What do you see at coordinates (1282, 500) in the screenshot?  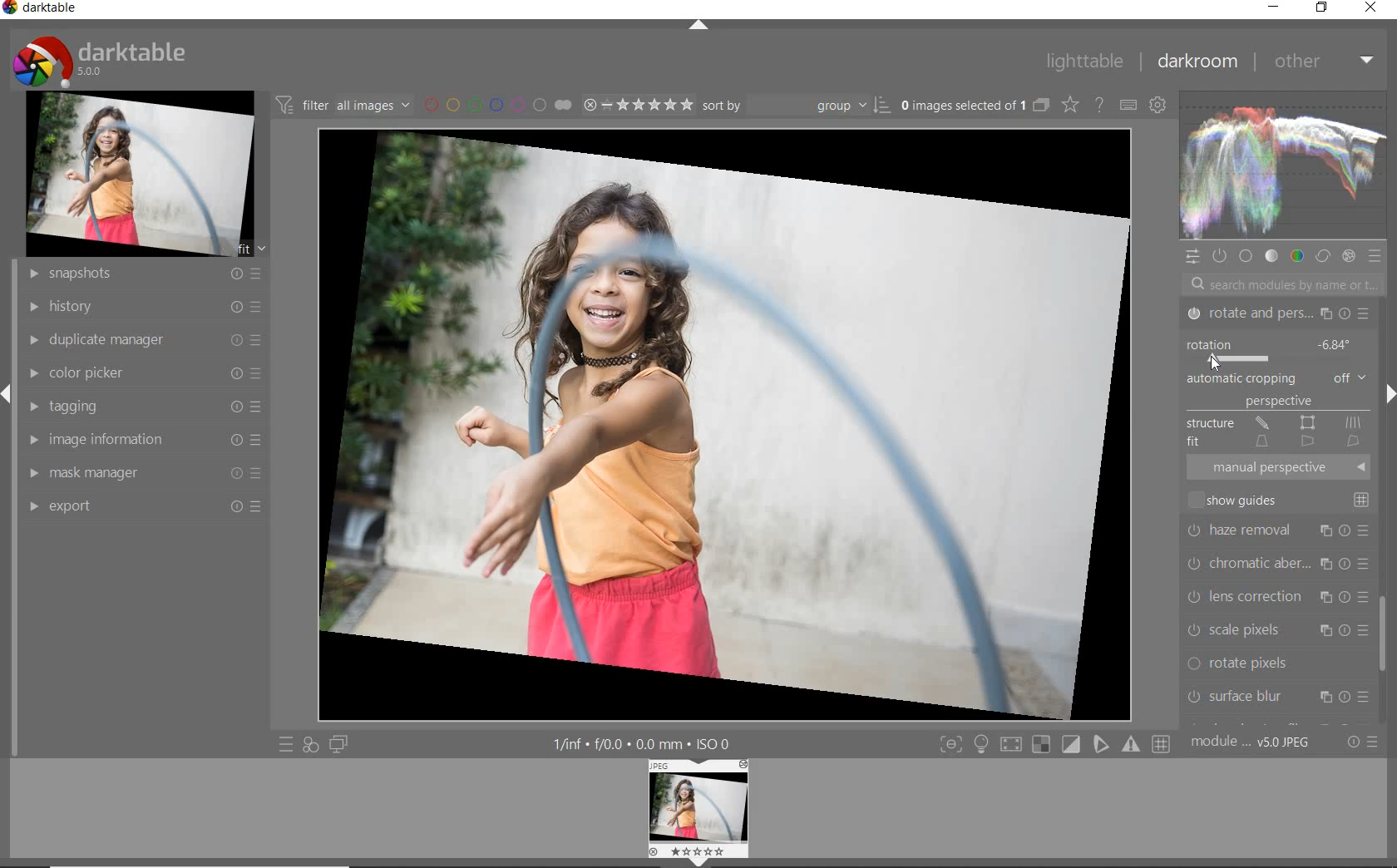 I see `SHOW GUIDES` at bounding box center [1282, 500].